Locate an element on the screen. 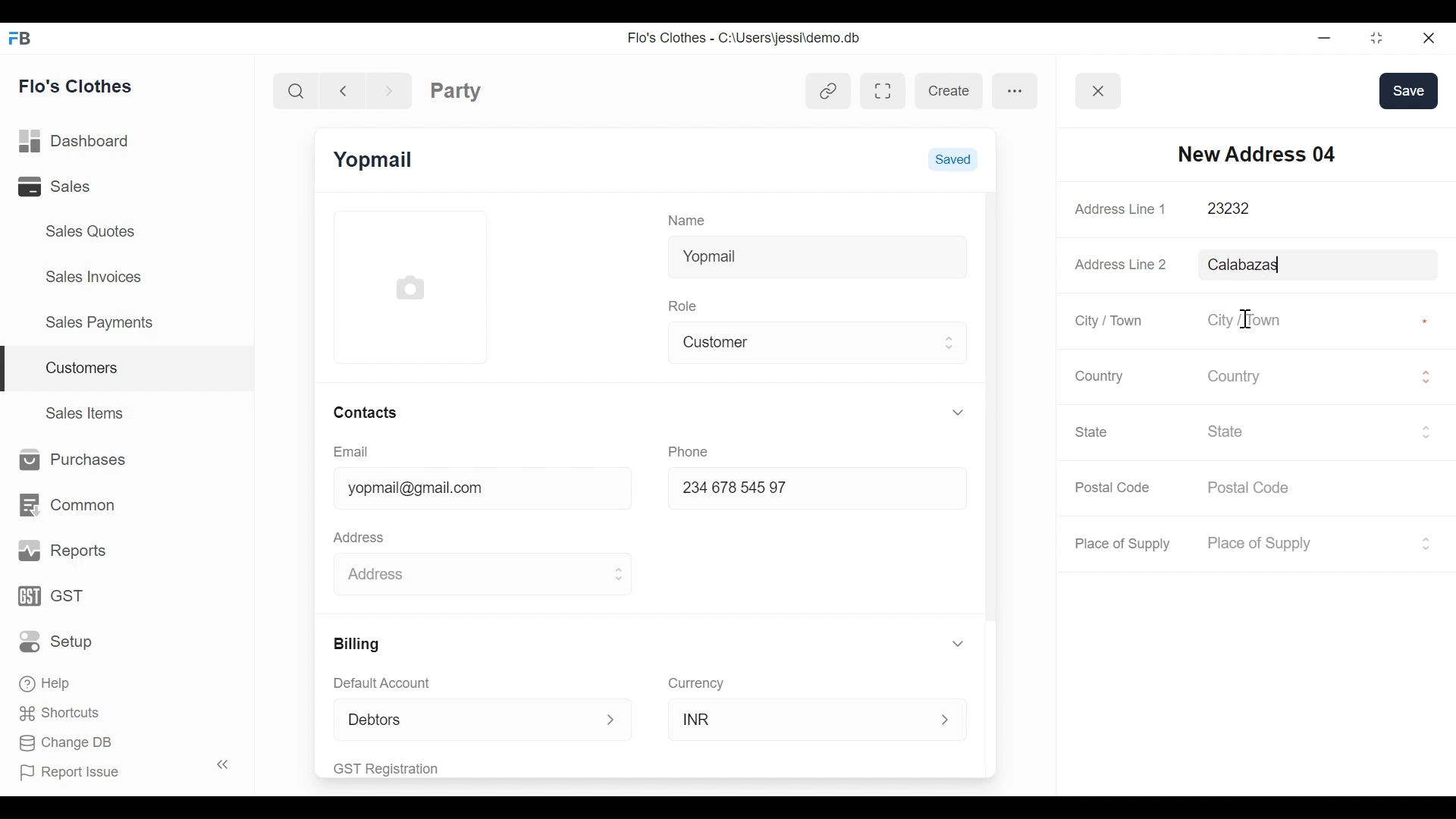  Name is located at coordinates (690, 219).